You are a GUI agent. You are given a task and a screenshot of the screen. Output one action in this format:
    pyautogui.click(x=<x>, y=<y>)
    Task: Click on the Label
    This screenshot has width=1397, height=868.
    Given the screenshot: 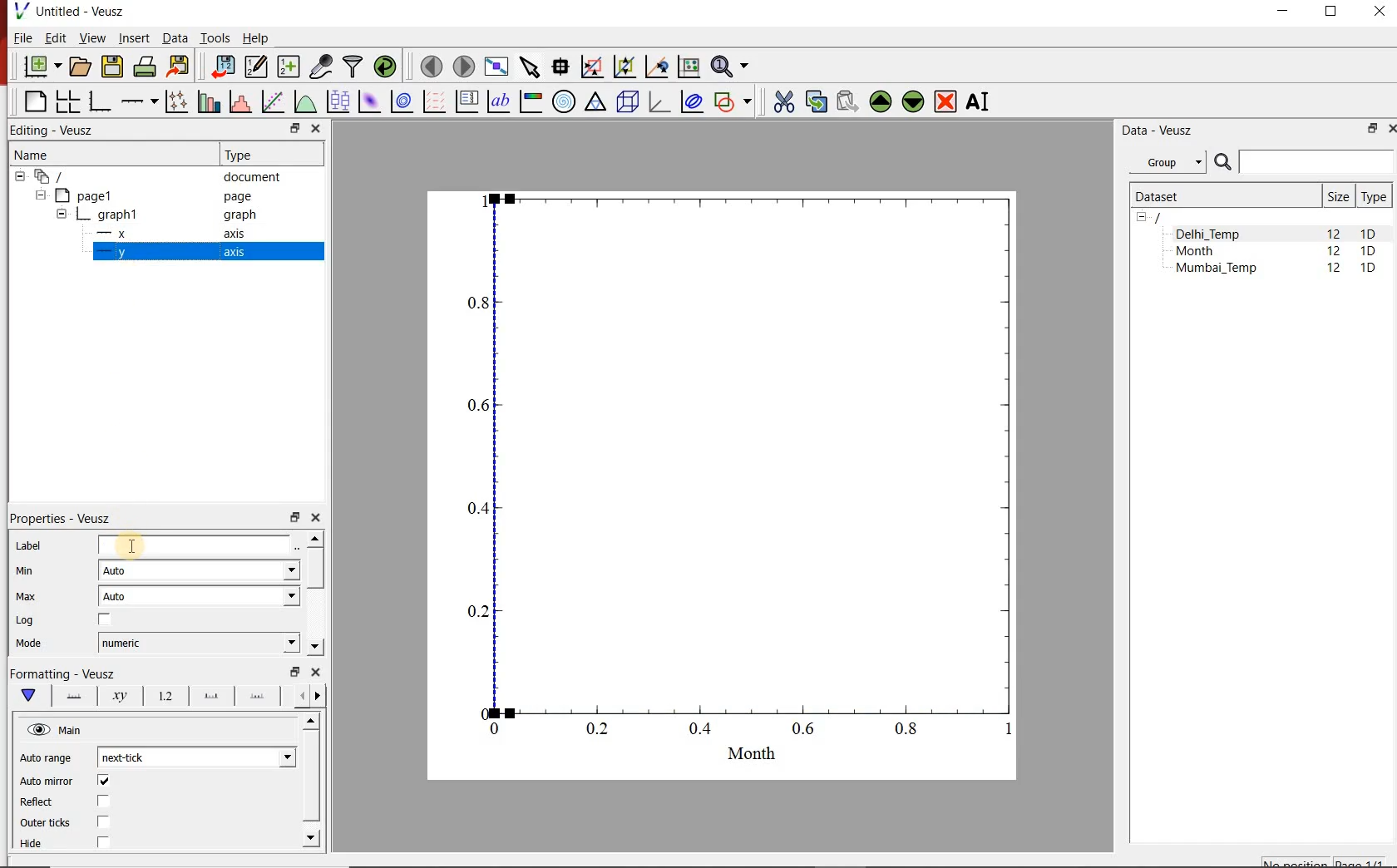 What is the action you would take?
    pyautogui.click(x=27, y=545)
    